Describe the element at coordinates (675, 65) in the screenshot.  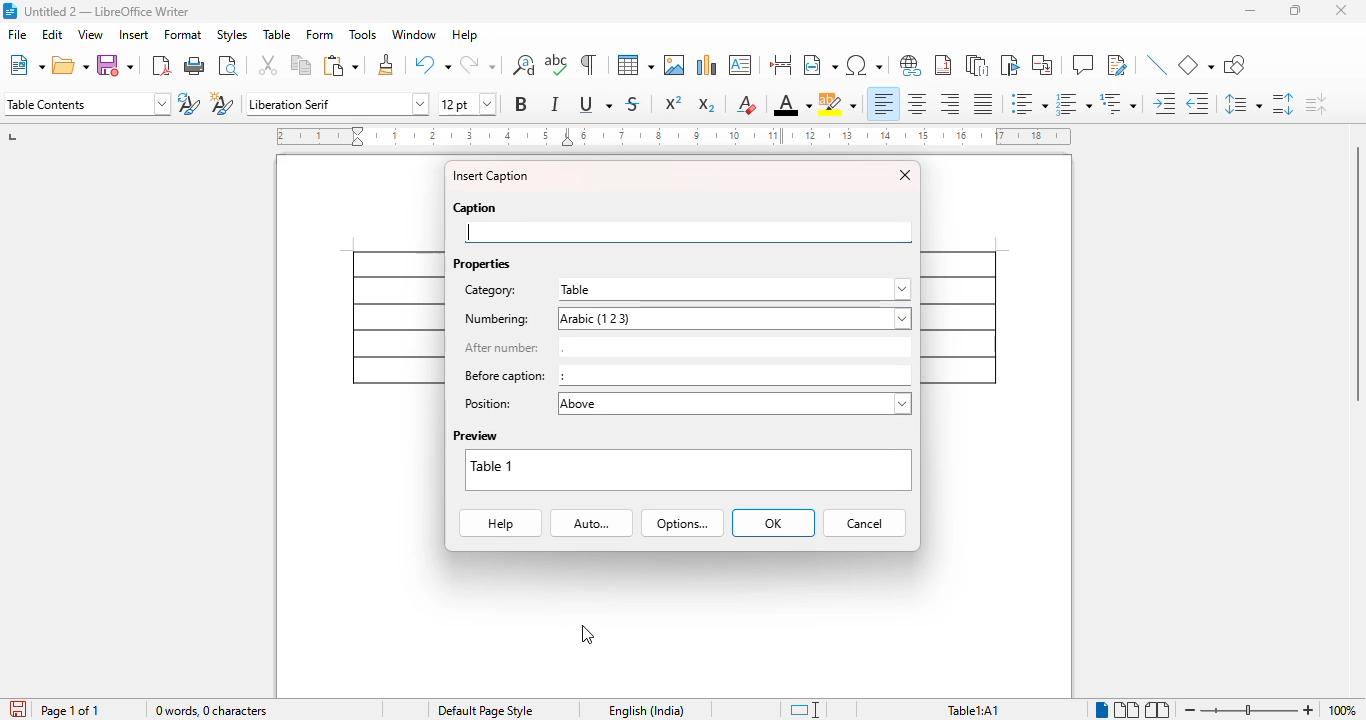
I see `insert image` at that location.